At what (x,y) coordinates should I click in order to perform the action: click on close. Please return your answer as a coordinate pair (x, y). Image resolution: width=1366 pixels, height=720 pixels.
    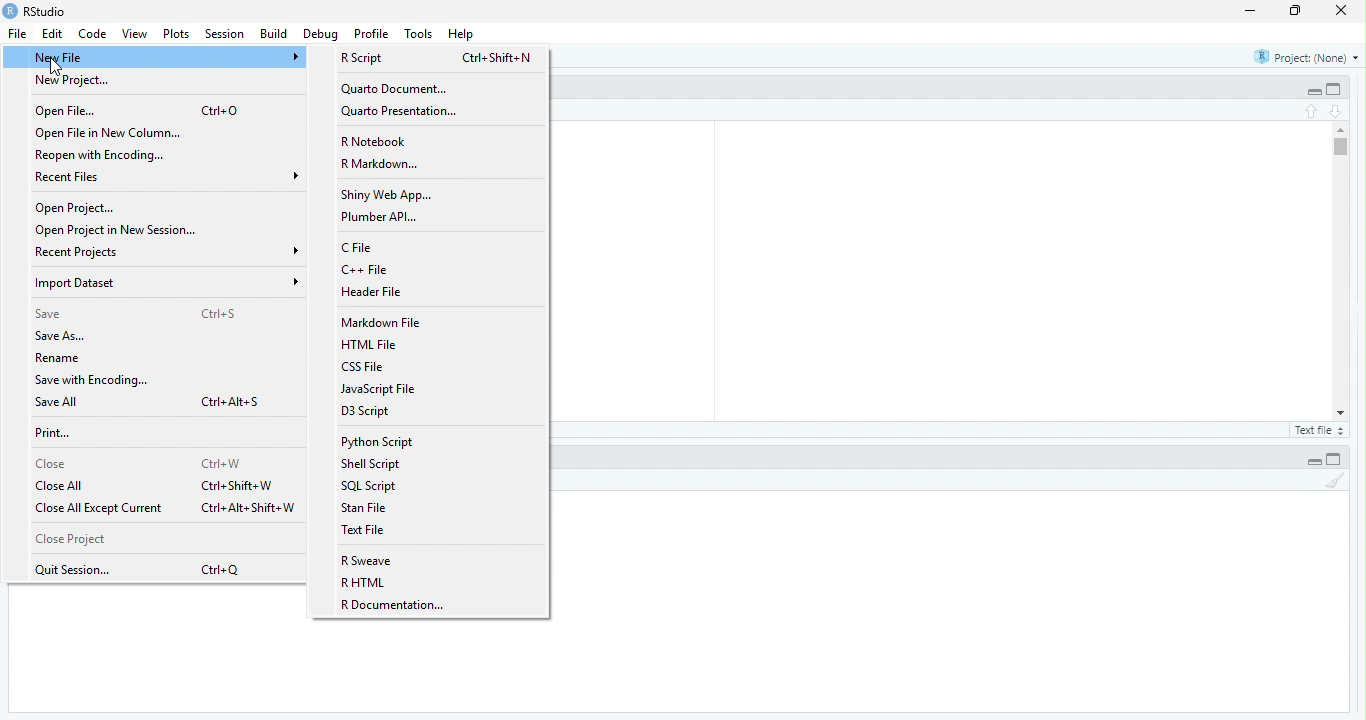
    Looking at the image, I should click on (1342, 10).